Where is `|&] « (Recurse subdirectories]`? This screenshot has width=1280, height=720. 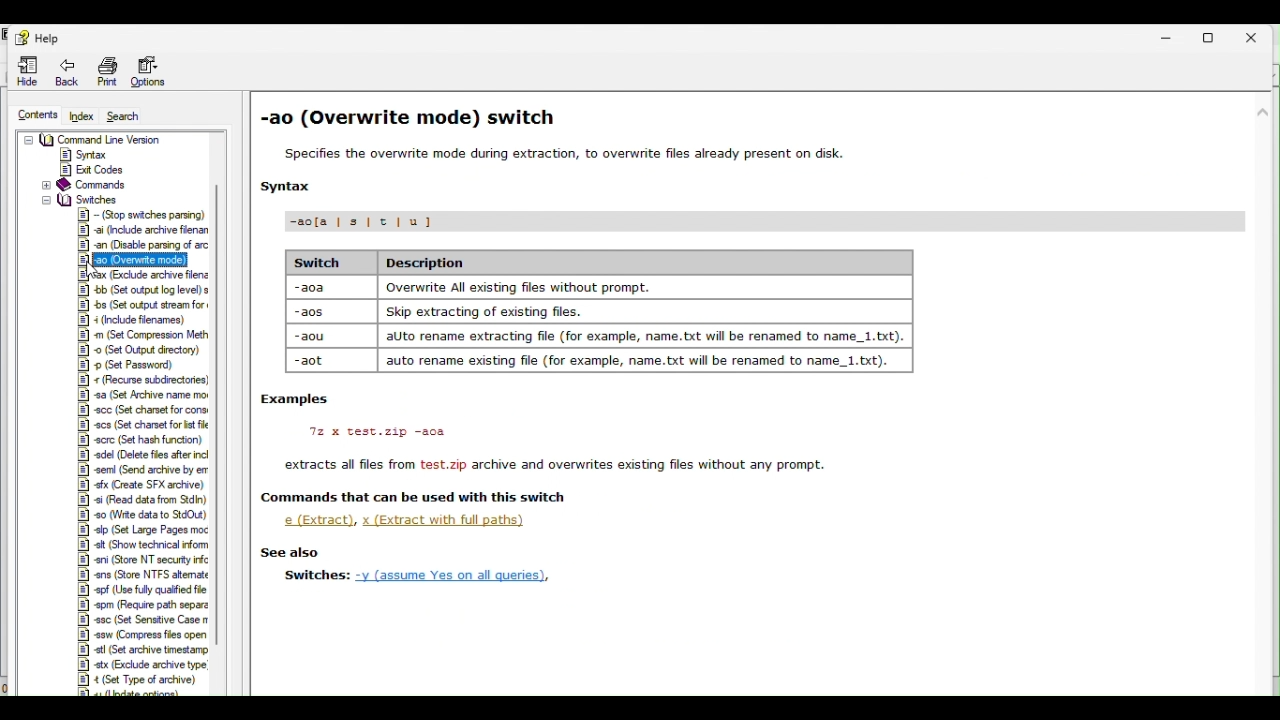
|&] « (Recurse subdirectories] is located at coordinates (142, 380).